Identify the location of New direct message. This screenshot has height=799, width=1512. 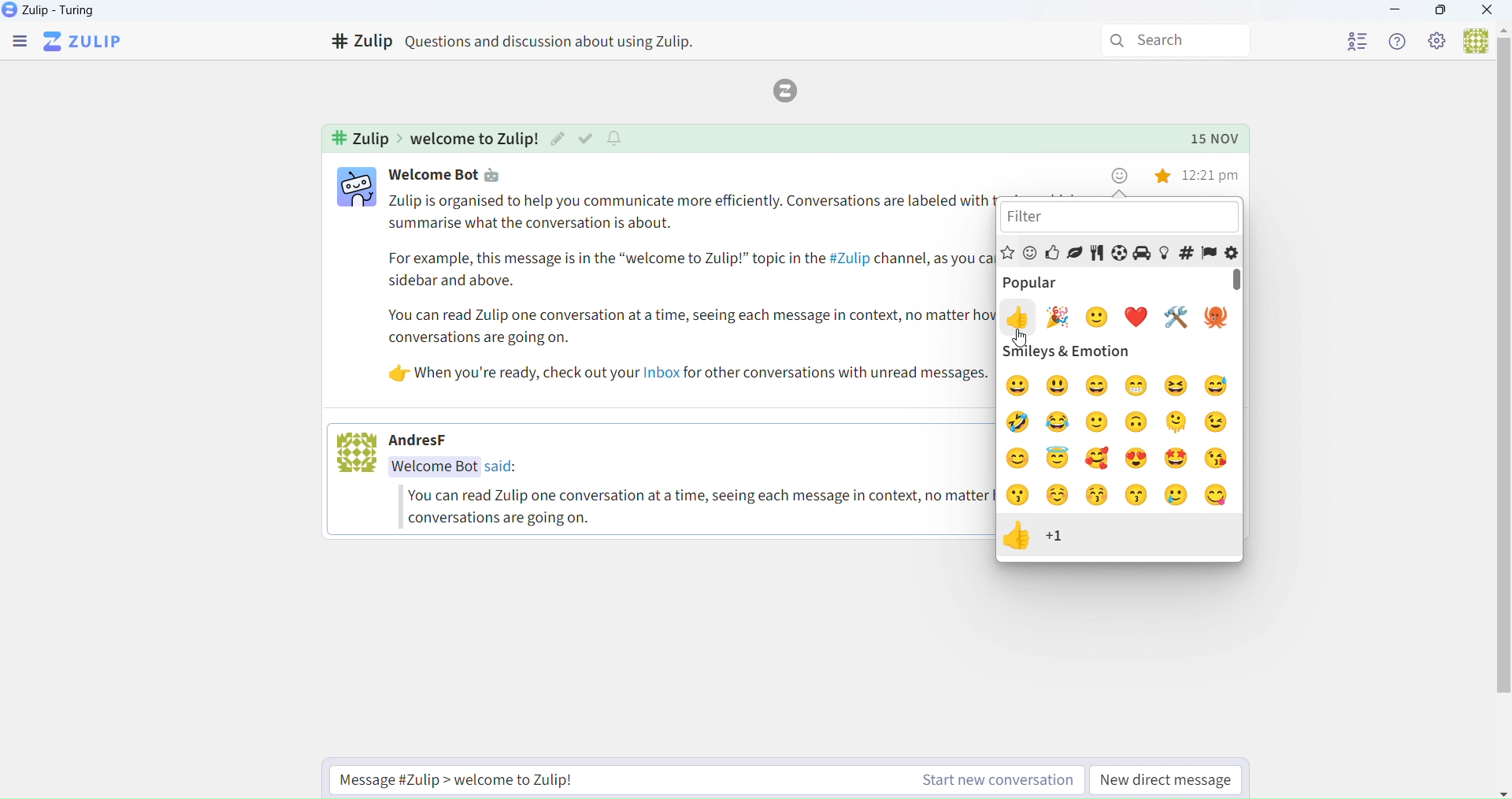
(1168, 779).